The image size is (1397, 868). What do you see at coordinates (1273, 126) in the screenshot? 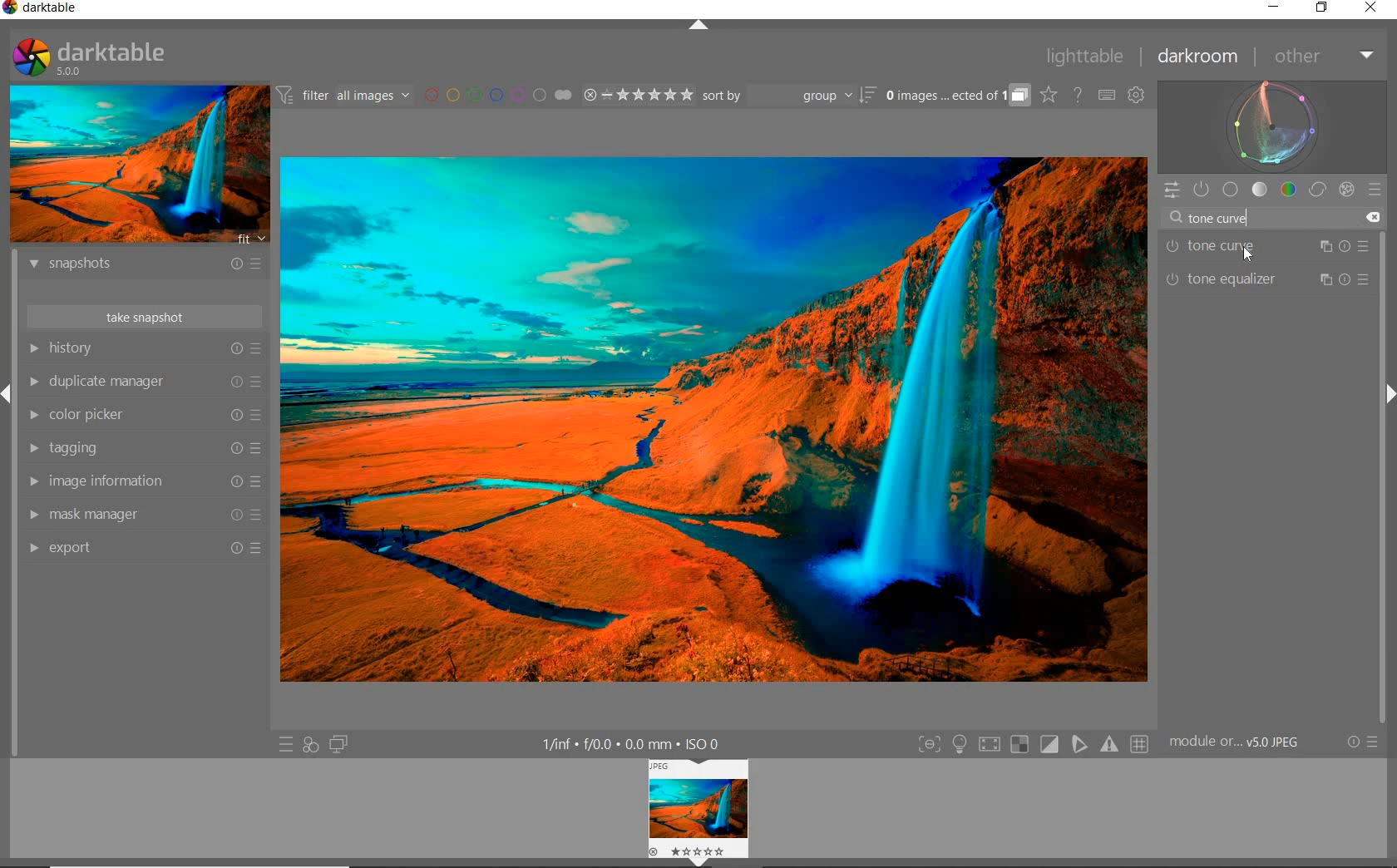
I see `waveform` at bounding box center [1273, 126].